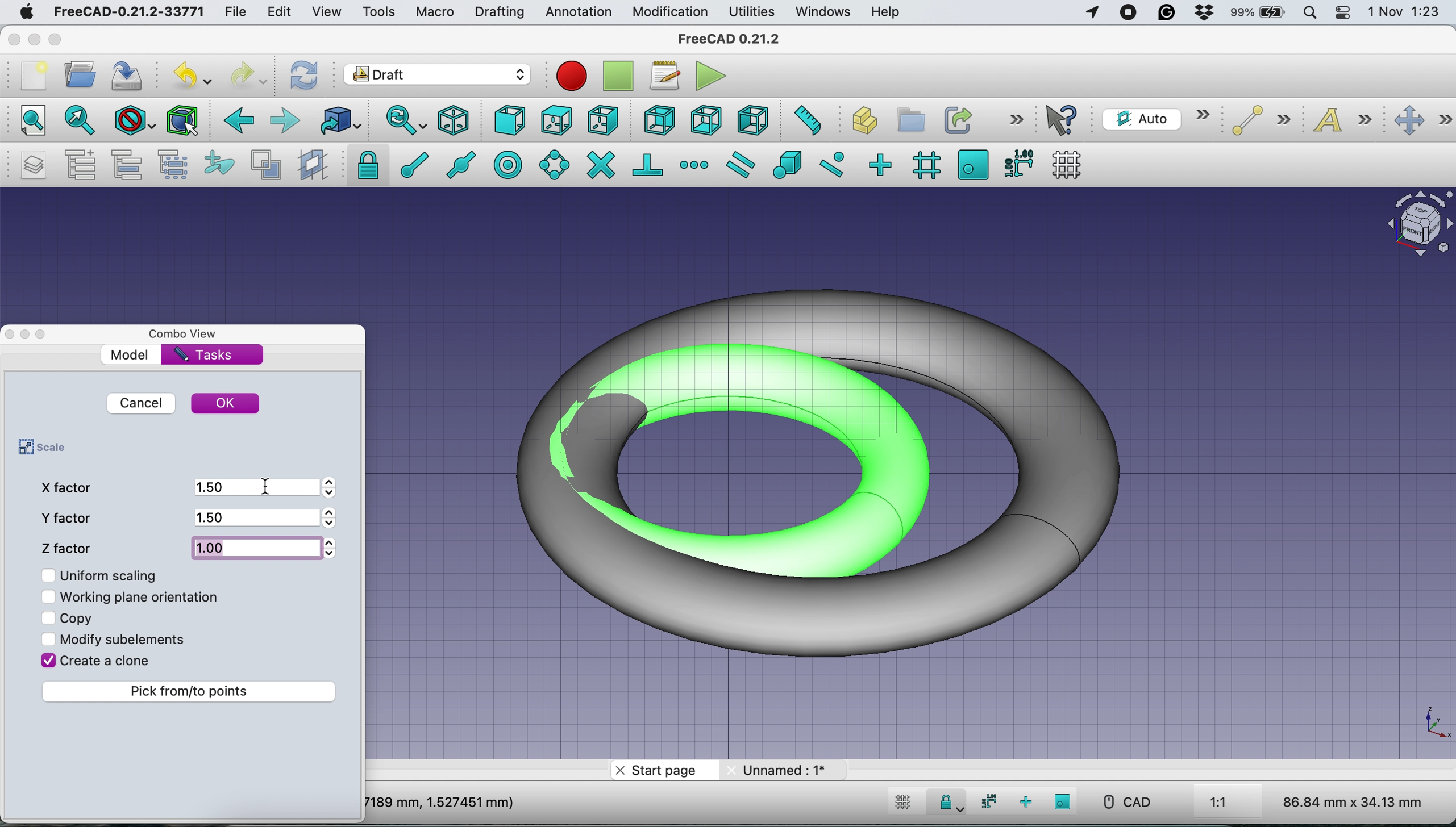 This screenshot has width=1456, height=827. I want to click on ok, so click(227, 404).